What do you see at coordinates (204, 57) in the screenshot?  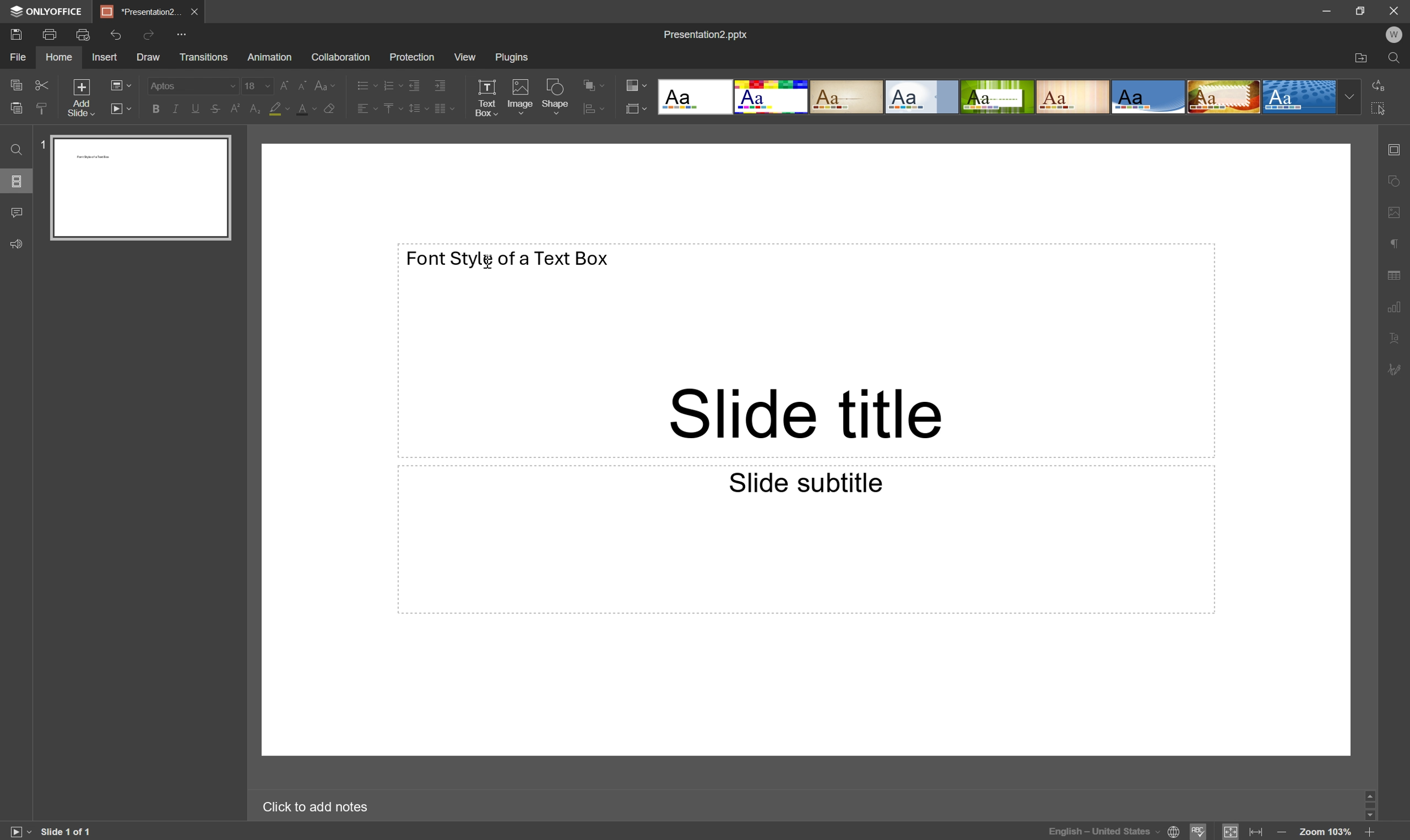 I see `Transitions` at bounding box center [204, 57].